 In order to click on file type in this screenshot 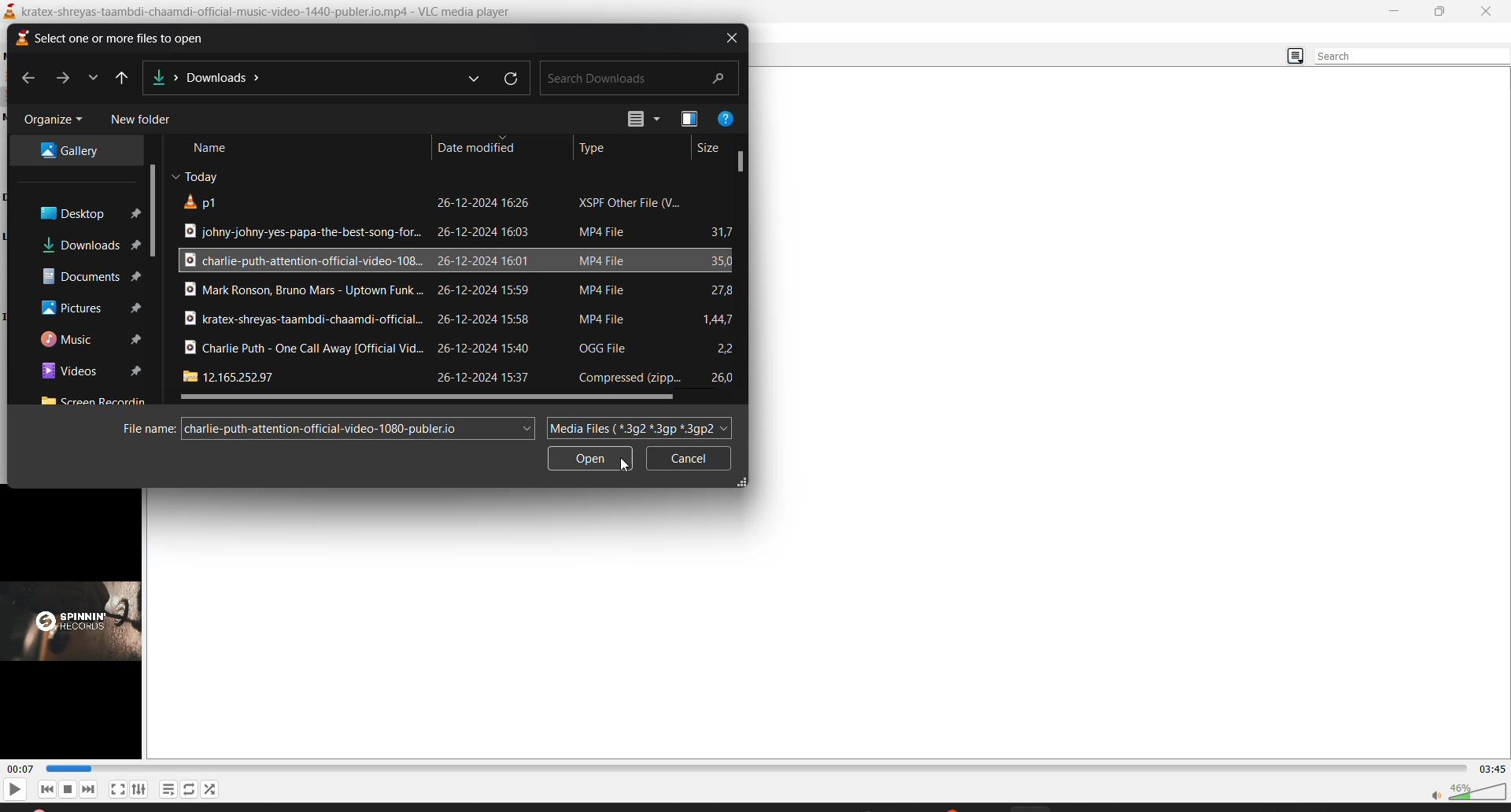, I will do `click(615, 260)`.